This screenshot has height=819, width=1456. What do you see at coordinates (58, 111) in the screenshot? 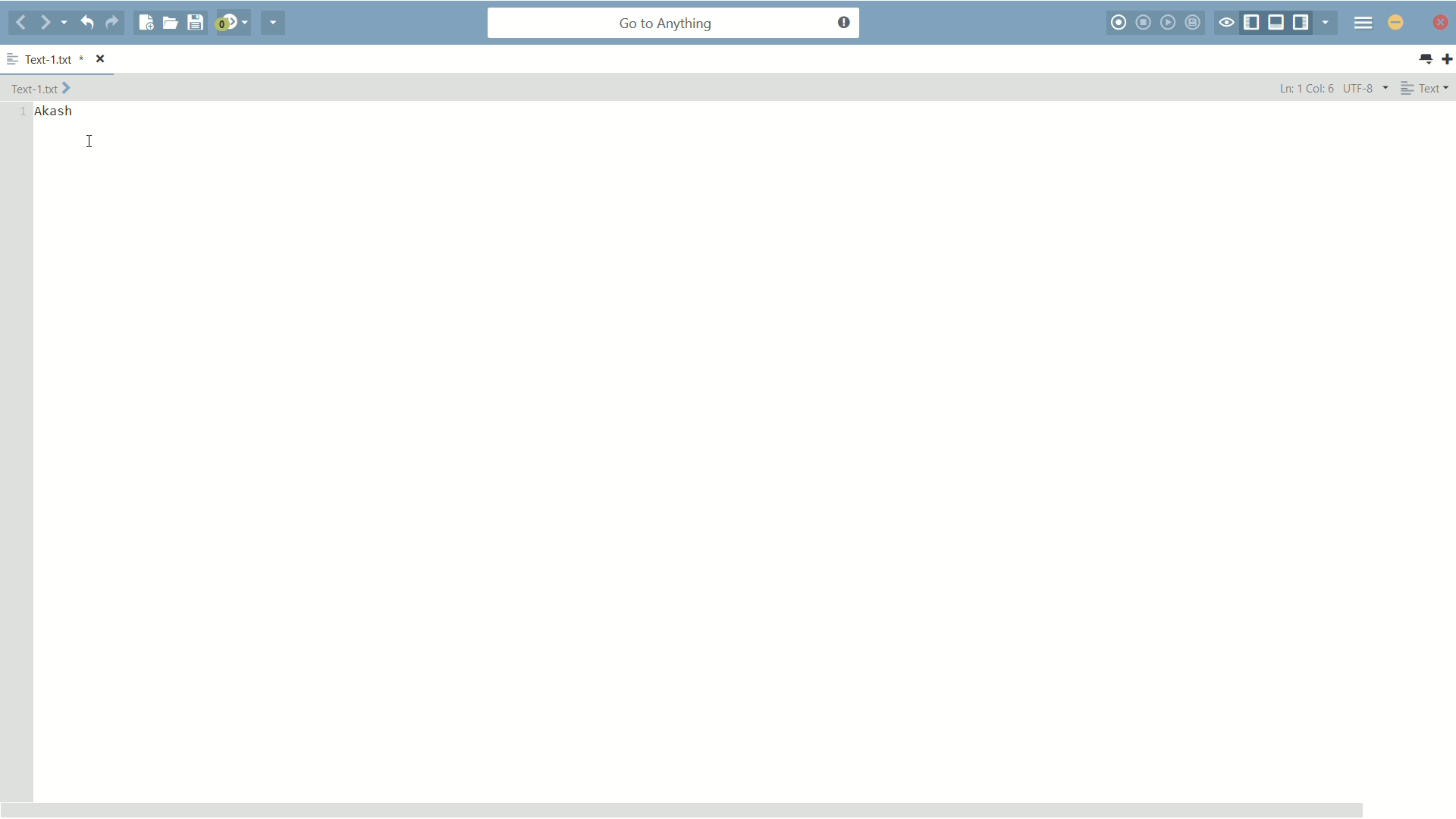
I see `Akash` at bounding box center [58, 111].